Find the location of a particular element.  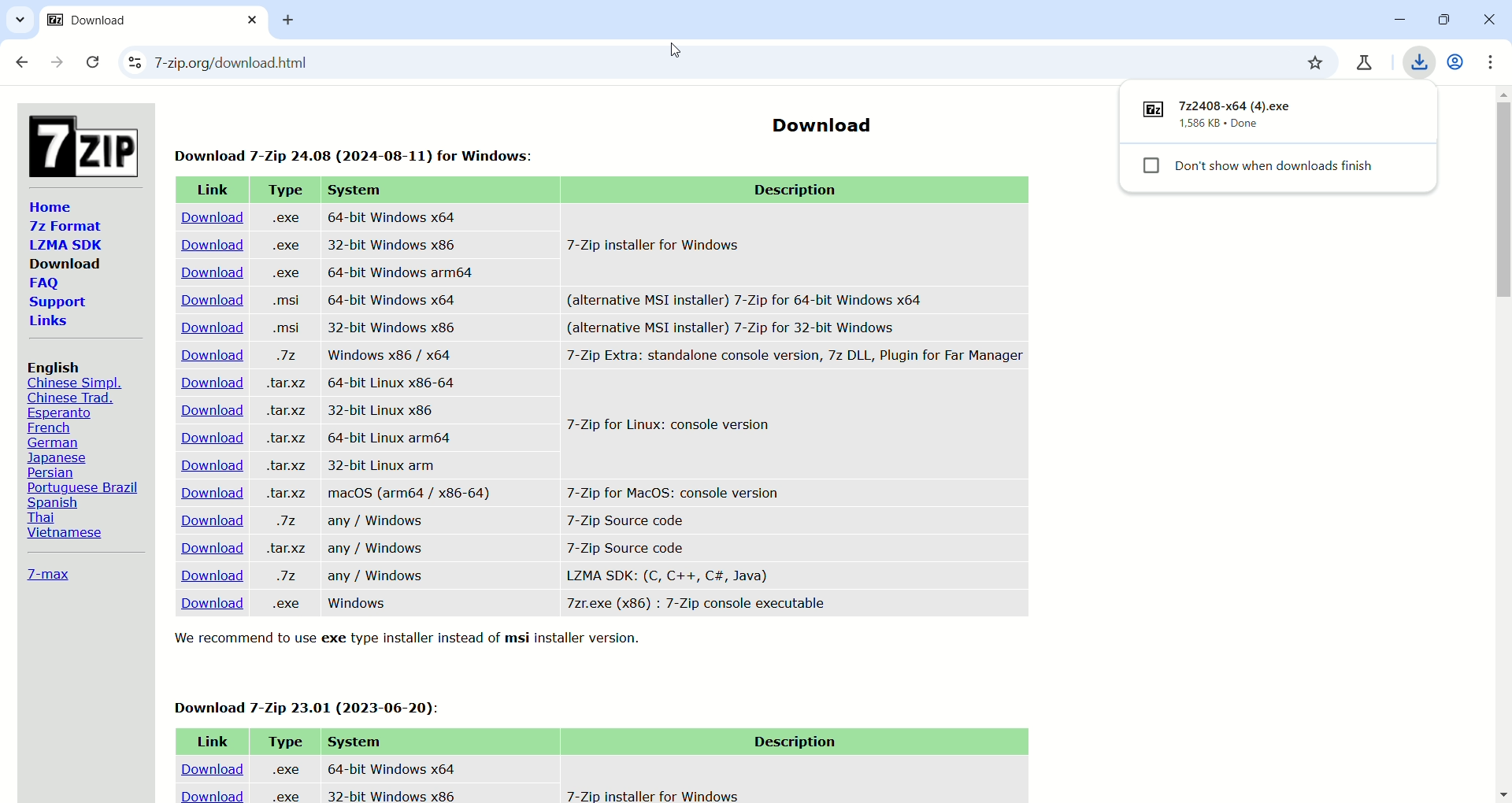

English is located at coordinates (56, 367).